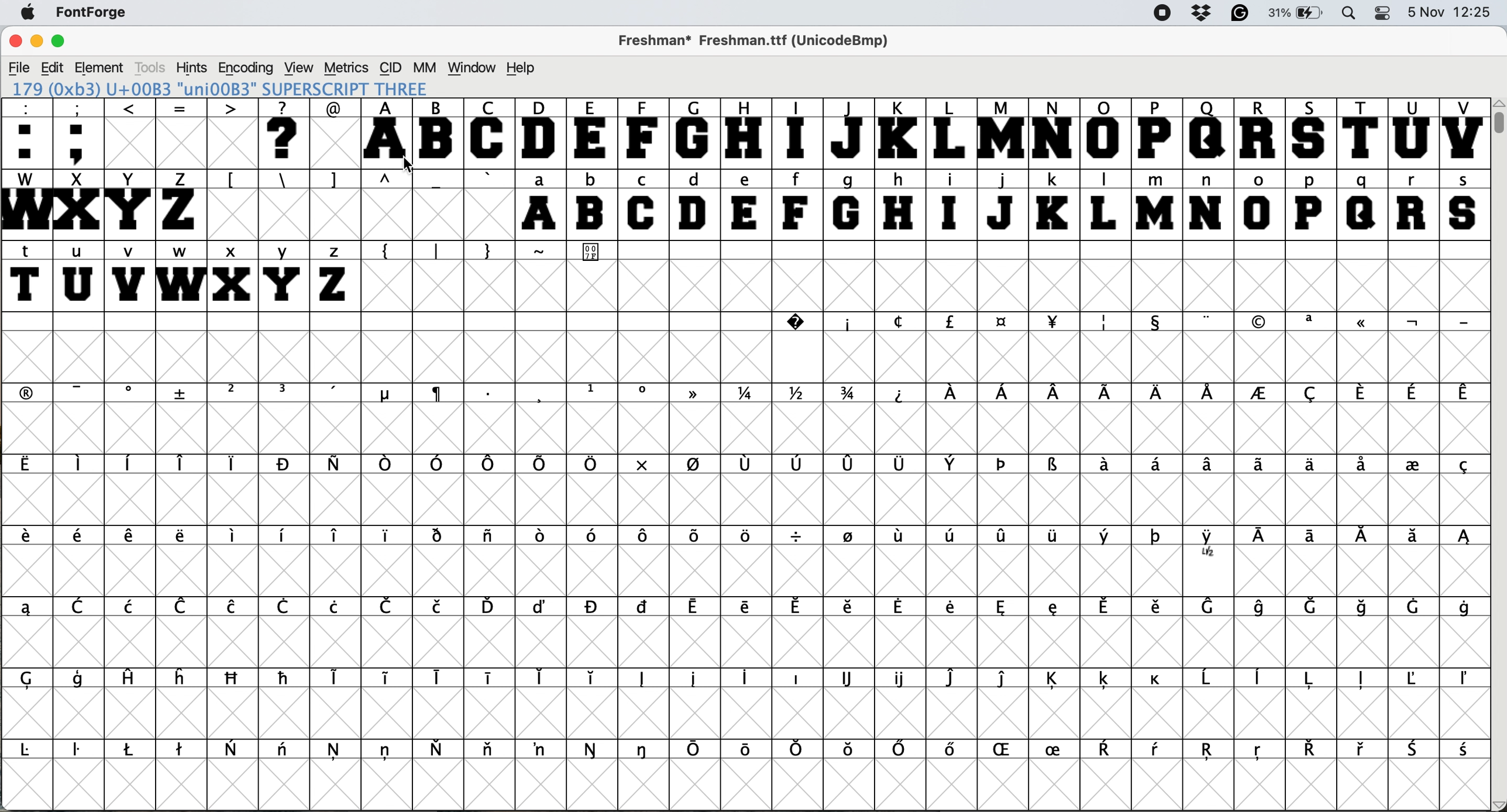  Describe the element at coordinates (1158, 393) in the screenshot. I see `symbol` at that location.